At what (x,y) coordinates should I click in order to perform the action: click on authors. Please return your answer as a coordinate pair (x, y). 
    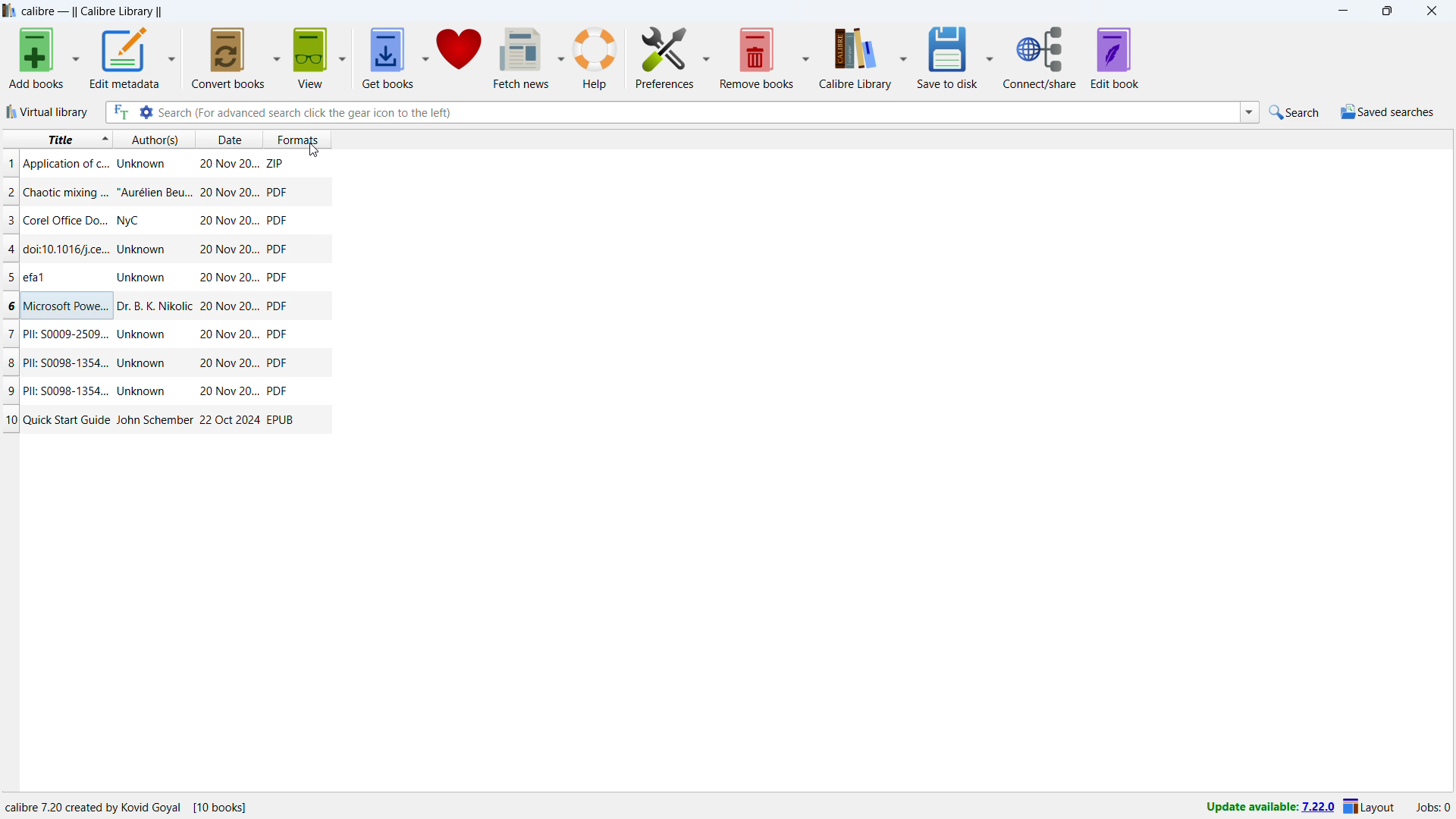
    Looking at the image, I should click on (155, 139).